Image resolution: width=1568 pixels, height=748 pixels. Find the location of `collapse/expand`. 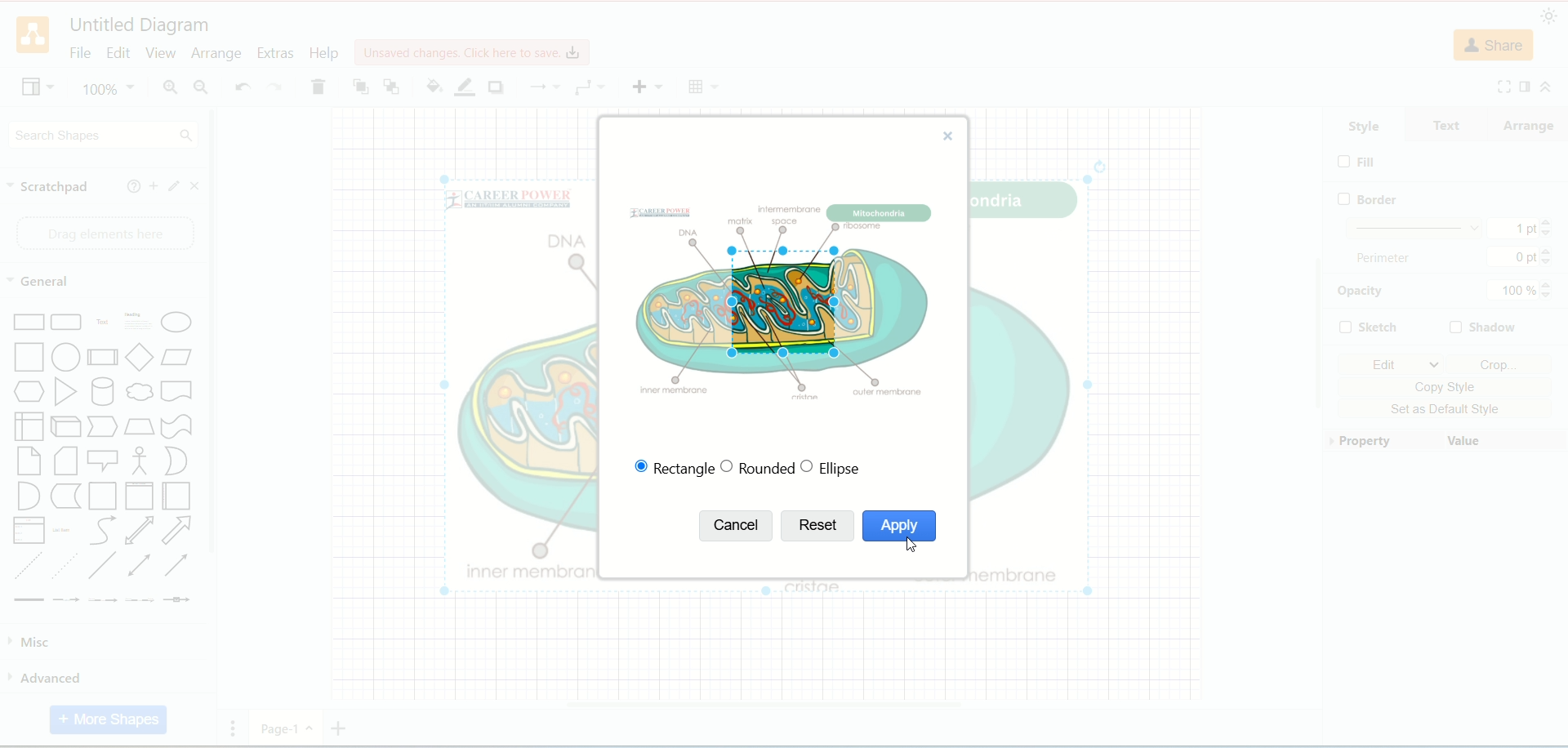

collapse/expand is located at coordinates (1546, 87).